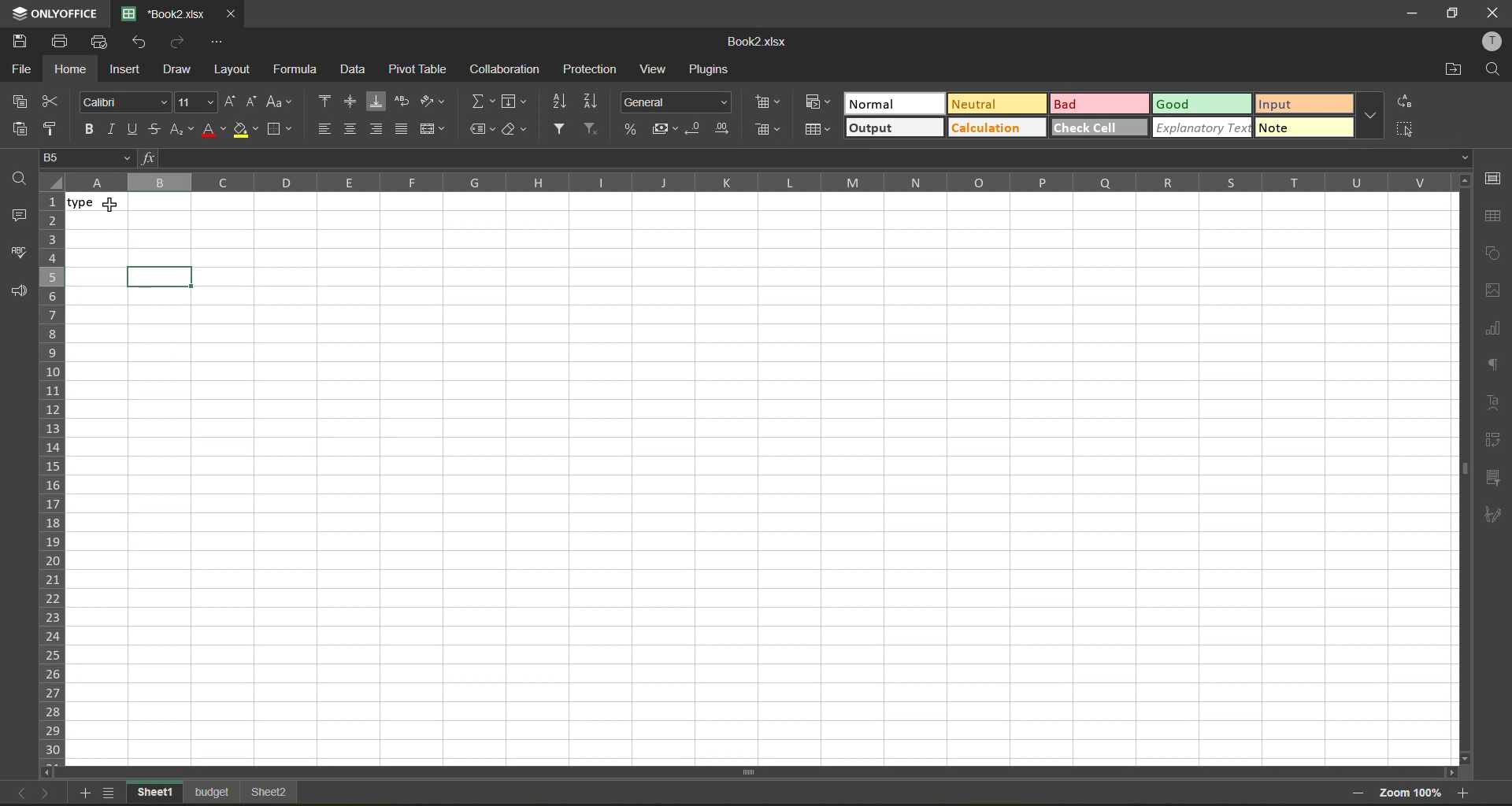 This screenshot has height=806, width=1512. I want to click on type, so click(106, 202).